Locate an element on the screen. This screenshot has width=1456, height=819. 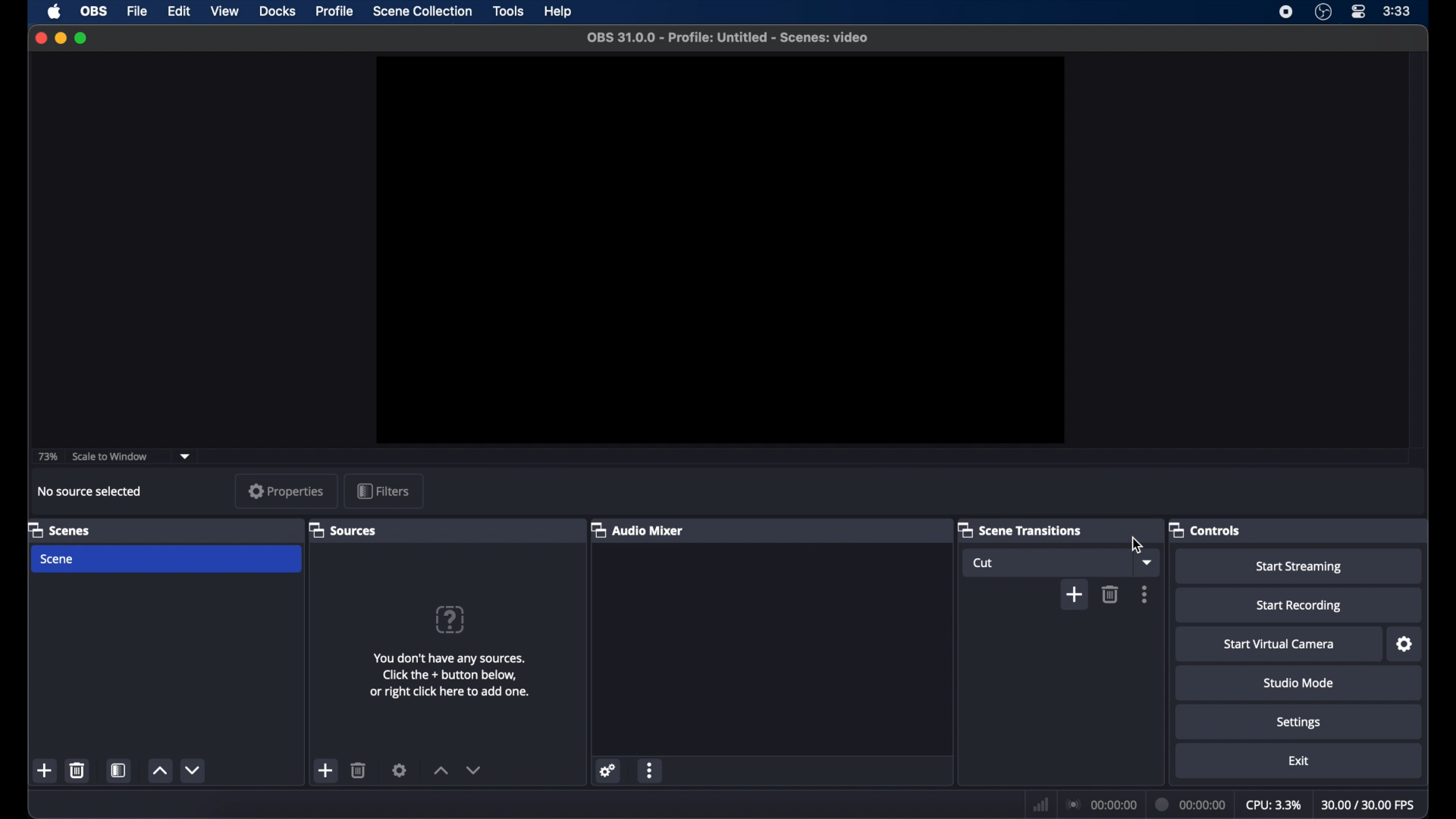
view is located at coordinates (224, 11).